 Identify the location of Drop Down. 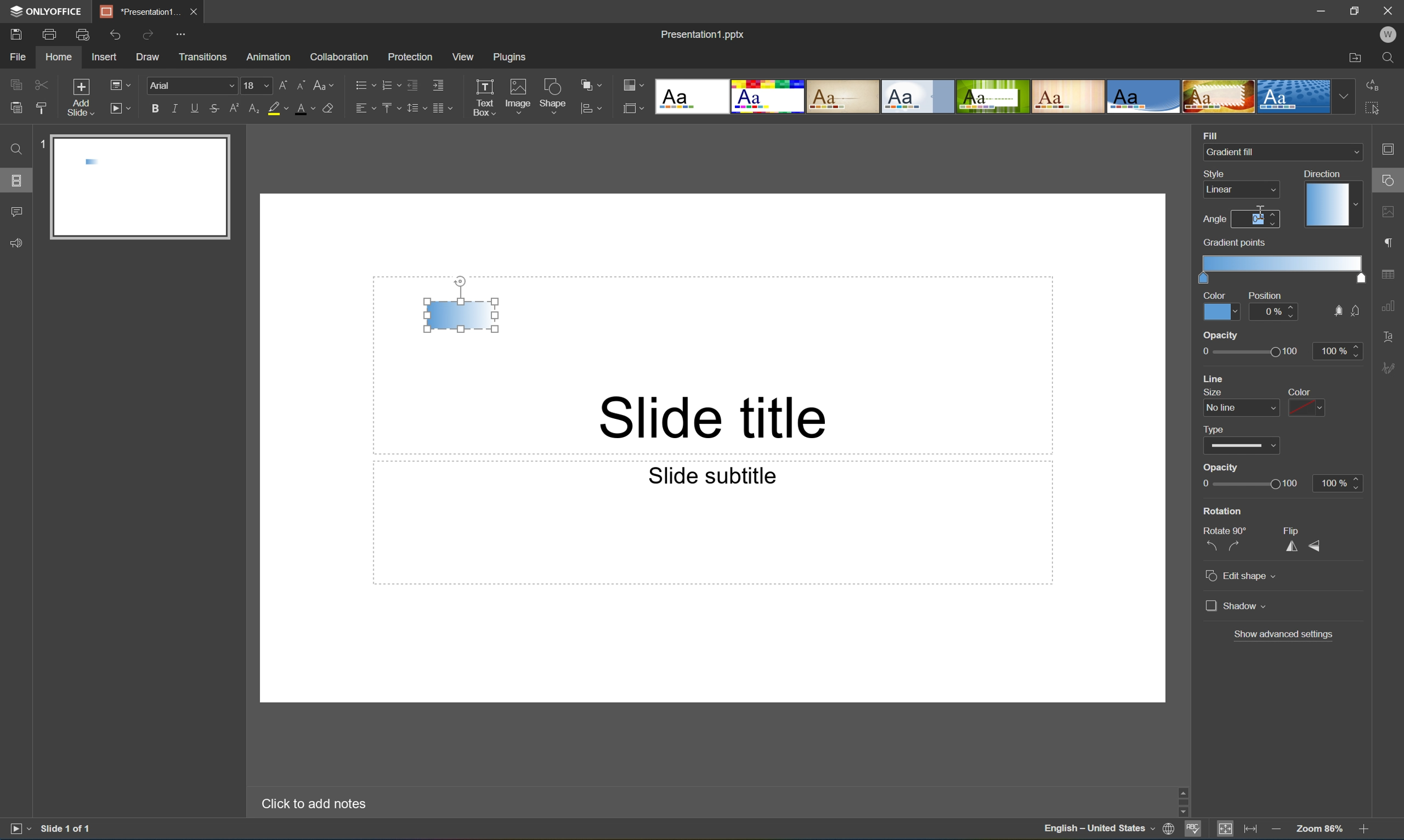
(1354, 152).